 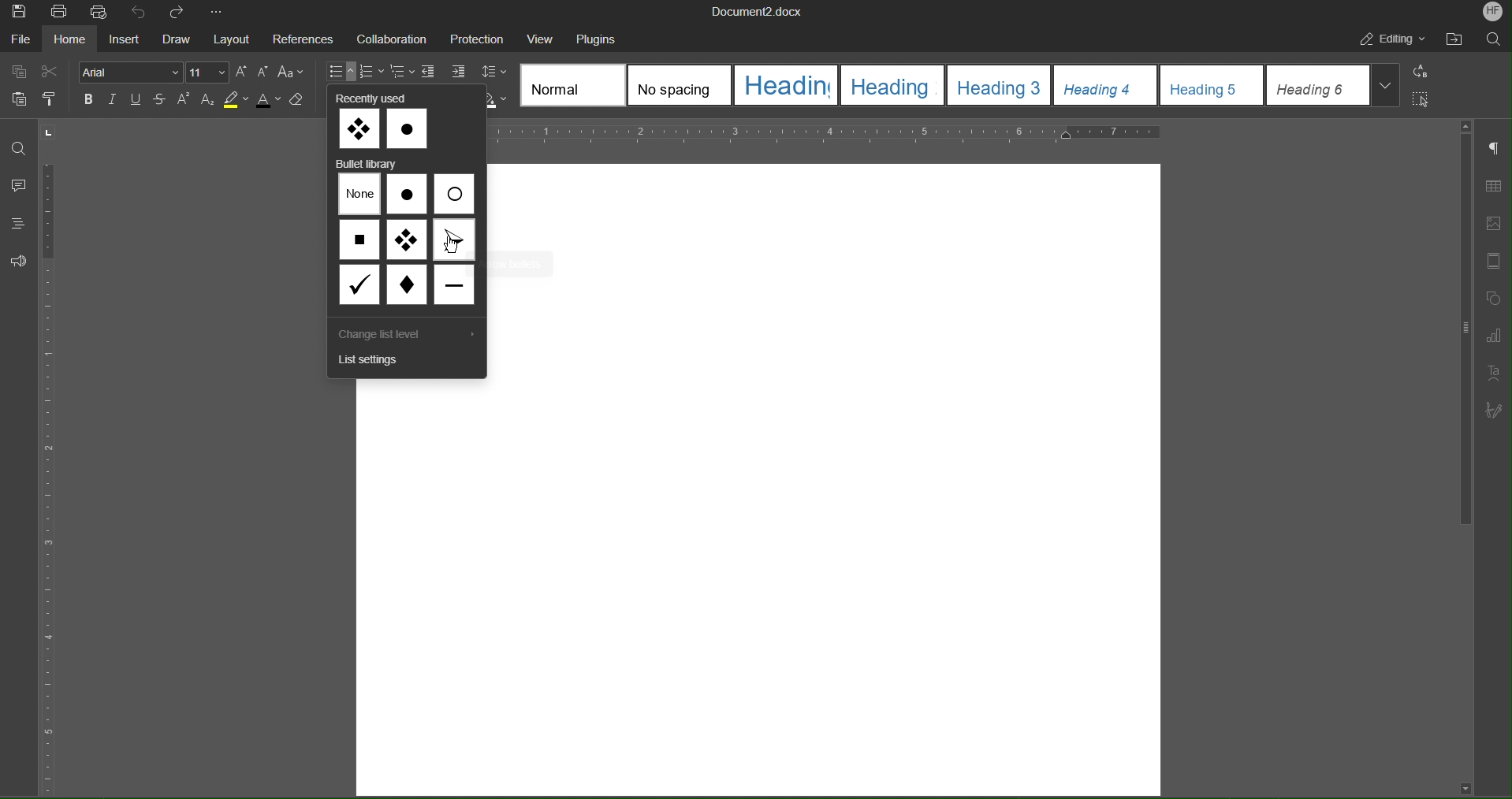 I want to click on Signature, so click(x=1492, y=409).